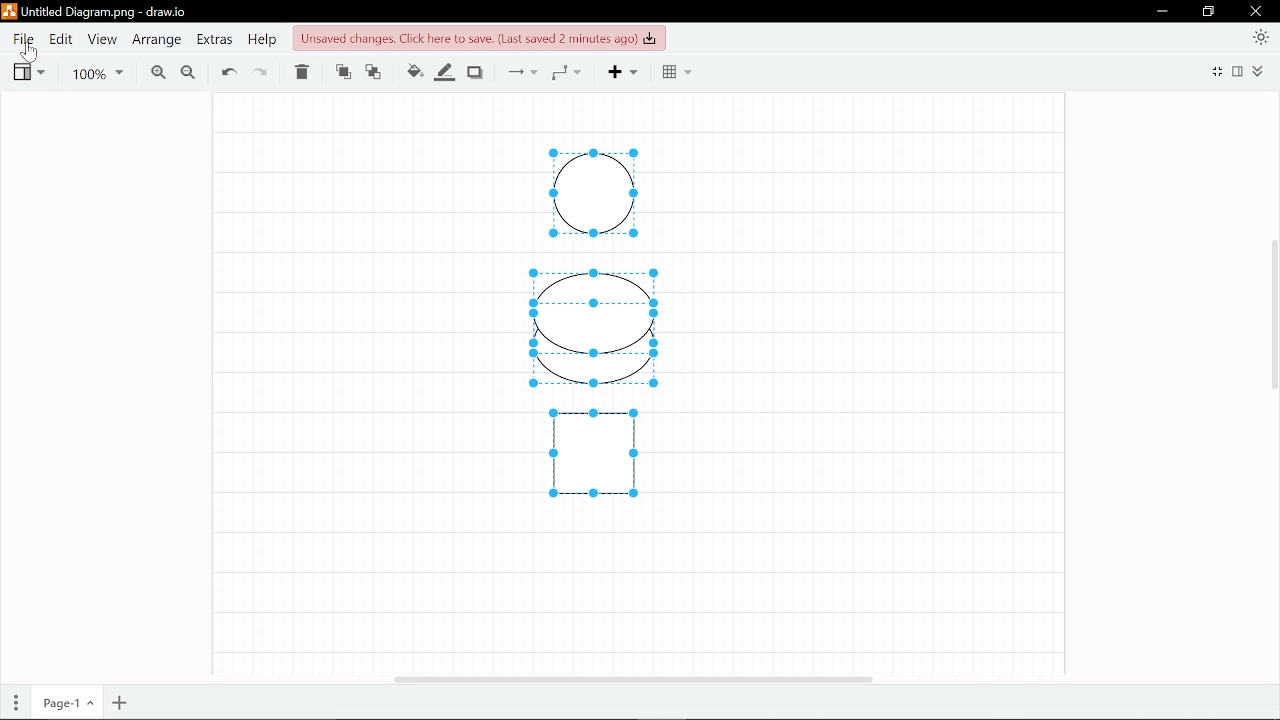 This screenshot has width=1280, height=720. What do you see at coordinates (66, 703) in the screenshot?
I see `Current page` at bounding box center [66, 703].